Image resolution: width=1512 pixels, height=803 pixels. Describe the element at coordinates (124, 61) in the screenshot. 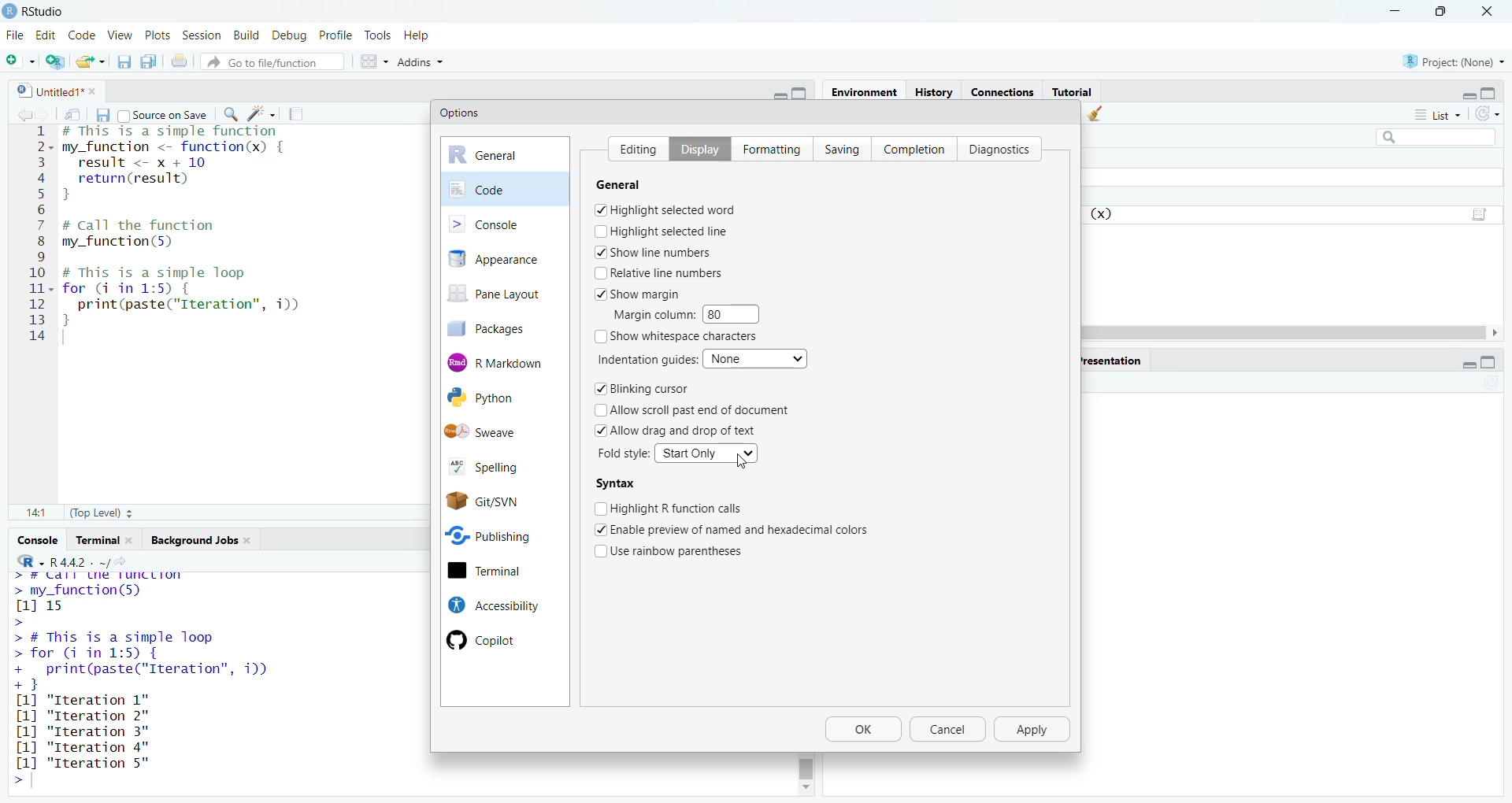

I see `save current document` at that location.